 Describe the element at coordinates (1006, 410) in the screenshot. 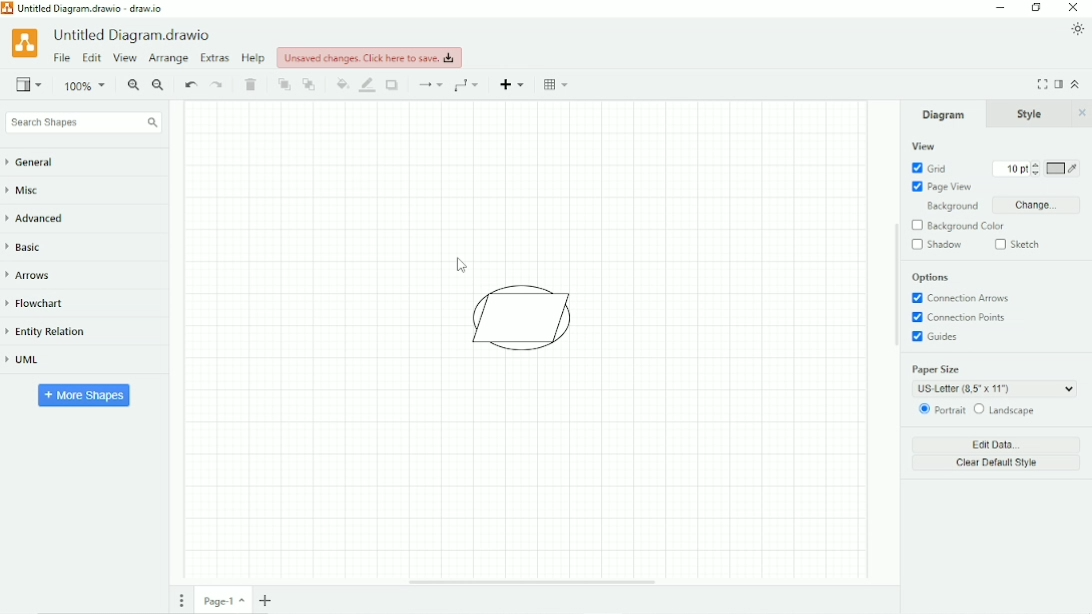

I see `Landscape` at that location.